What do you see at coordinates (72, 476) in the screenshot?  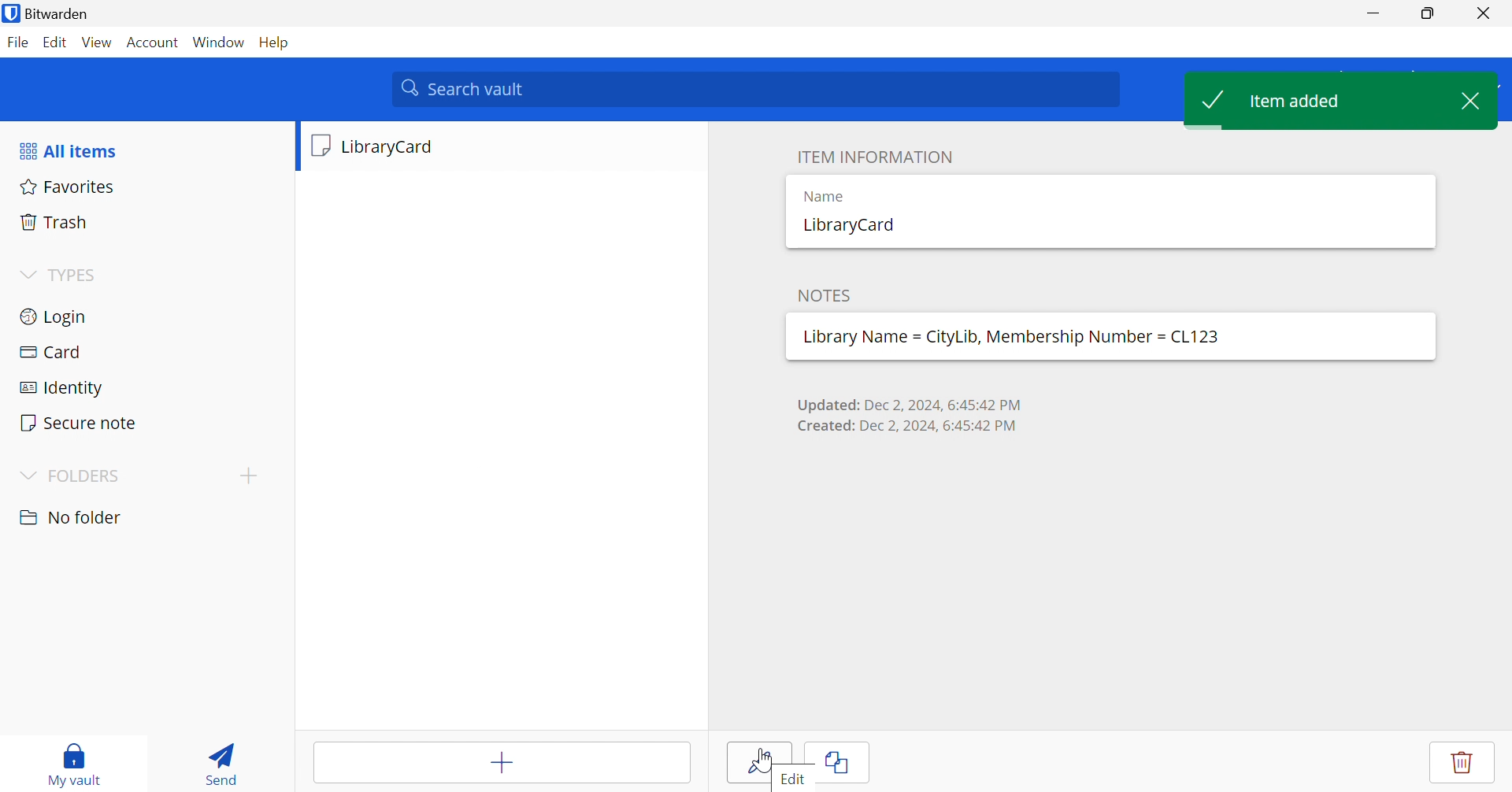 I see `FOLDERS` at bounding box center [72, 476].